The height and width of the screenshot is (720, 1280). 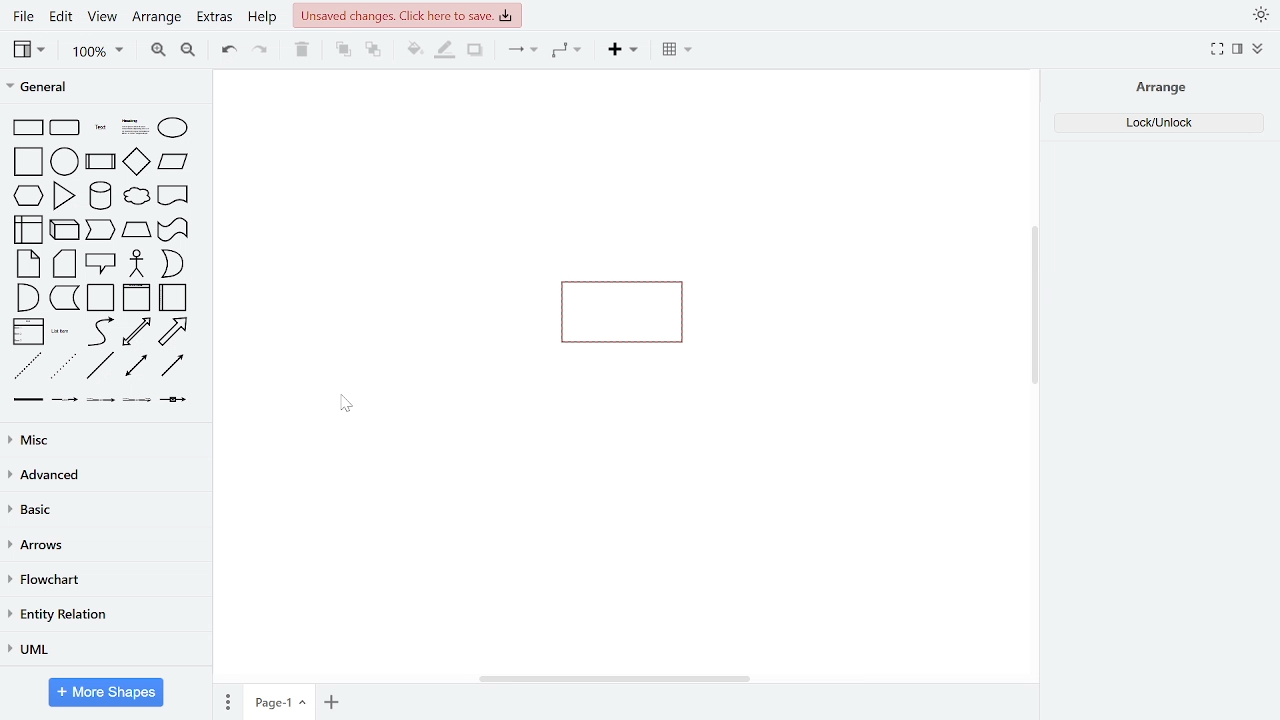 What do you see at coordinates (100, 129) in the screenshot?
I see `text` at bounding box center [100, 129].